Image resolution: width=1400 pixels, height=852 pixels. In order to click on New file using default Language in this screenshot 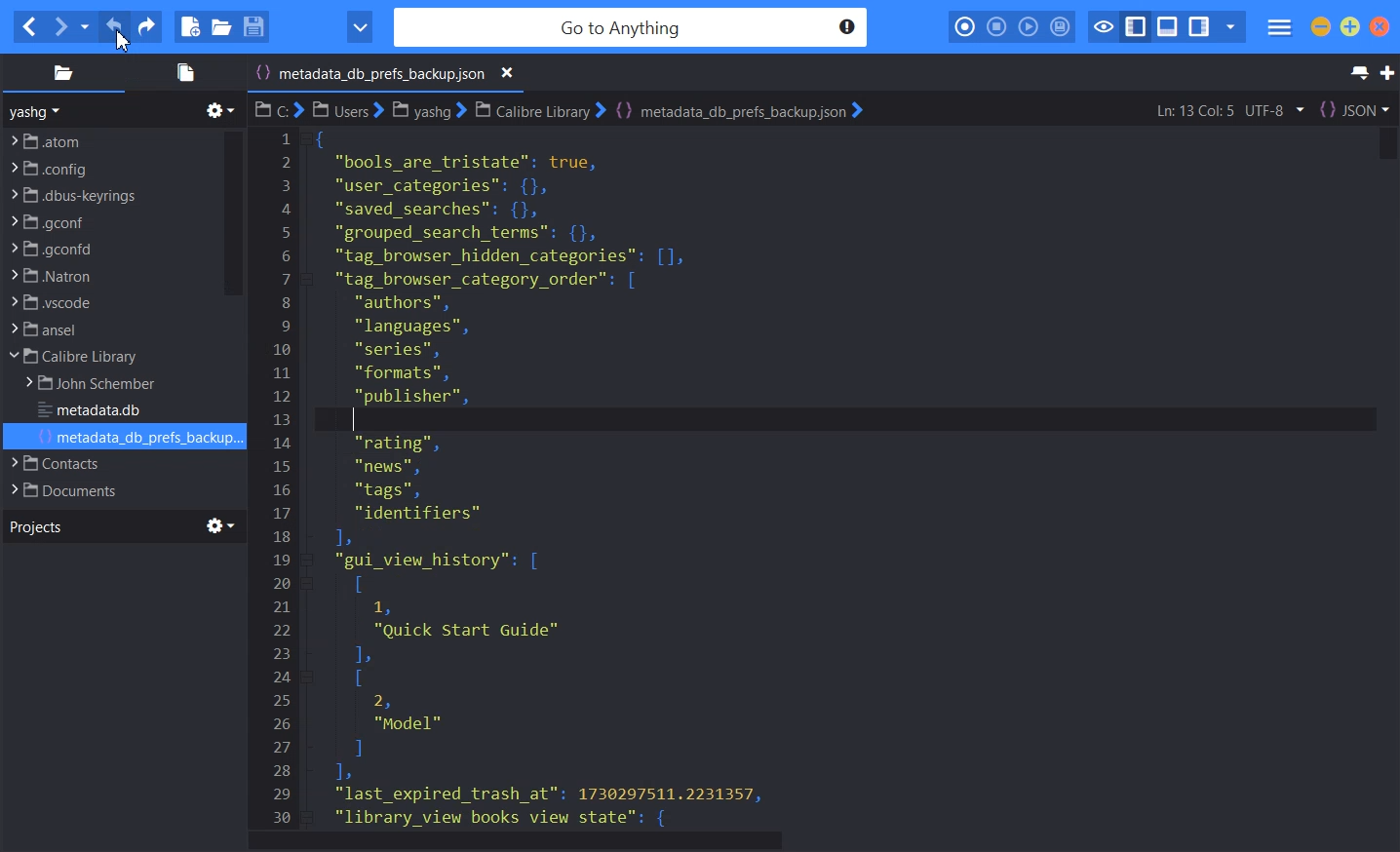, I will do `click(190, 27)`.